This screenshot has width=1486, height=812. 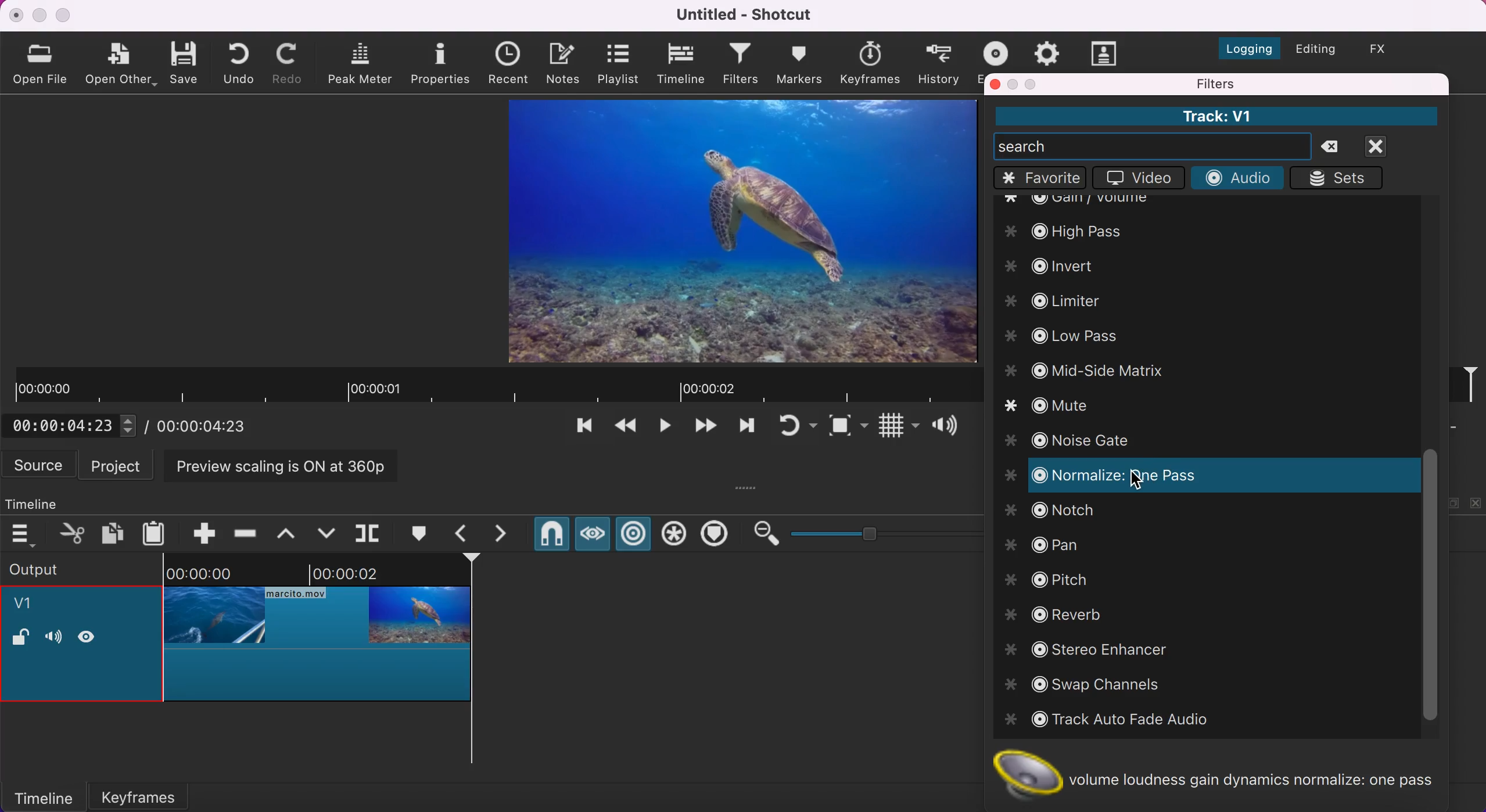 What do you see at coordinates (1274, 84) in the screenshot?
I see `filters` at bounding box center [1274, 84].